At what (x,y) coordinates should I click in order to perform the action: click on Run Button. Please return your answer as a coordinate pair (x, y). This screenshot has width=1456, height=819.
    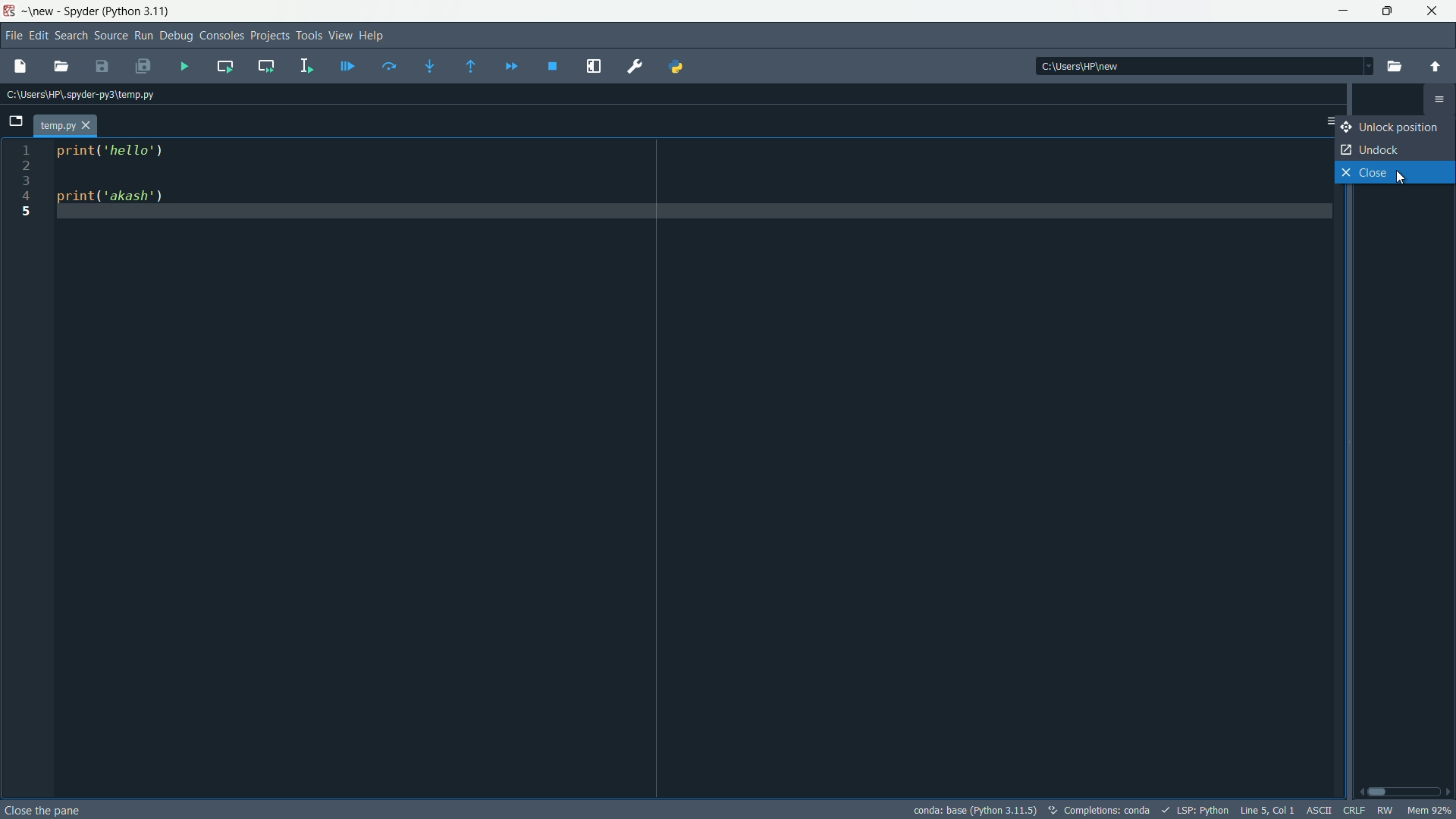
    Looking at the image, I should click on (144, 36).